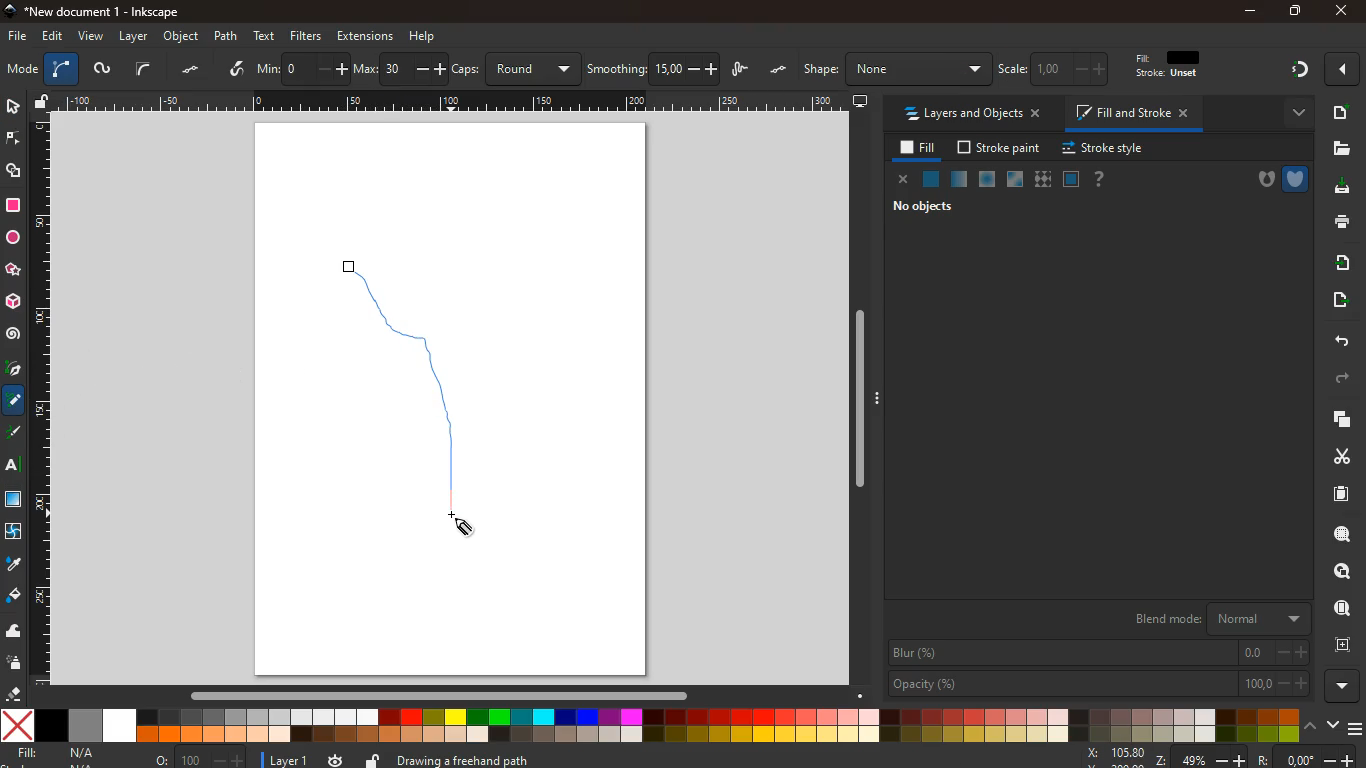 This screenshot has width=1366, height=768. I want to click on filters, so click(309, 36).